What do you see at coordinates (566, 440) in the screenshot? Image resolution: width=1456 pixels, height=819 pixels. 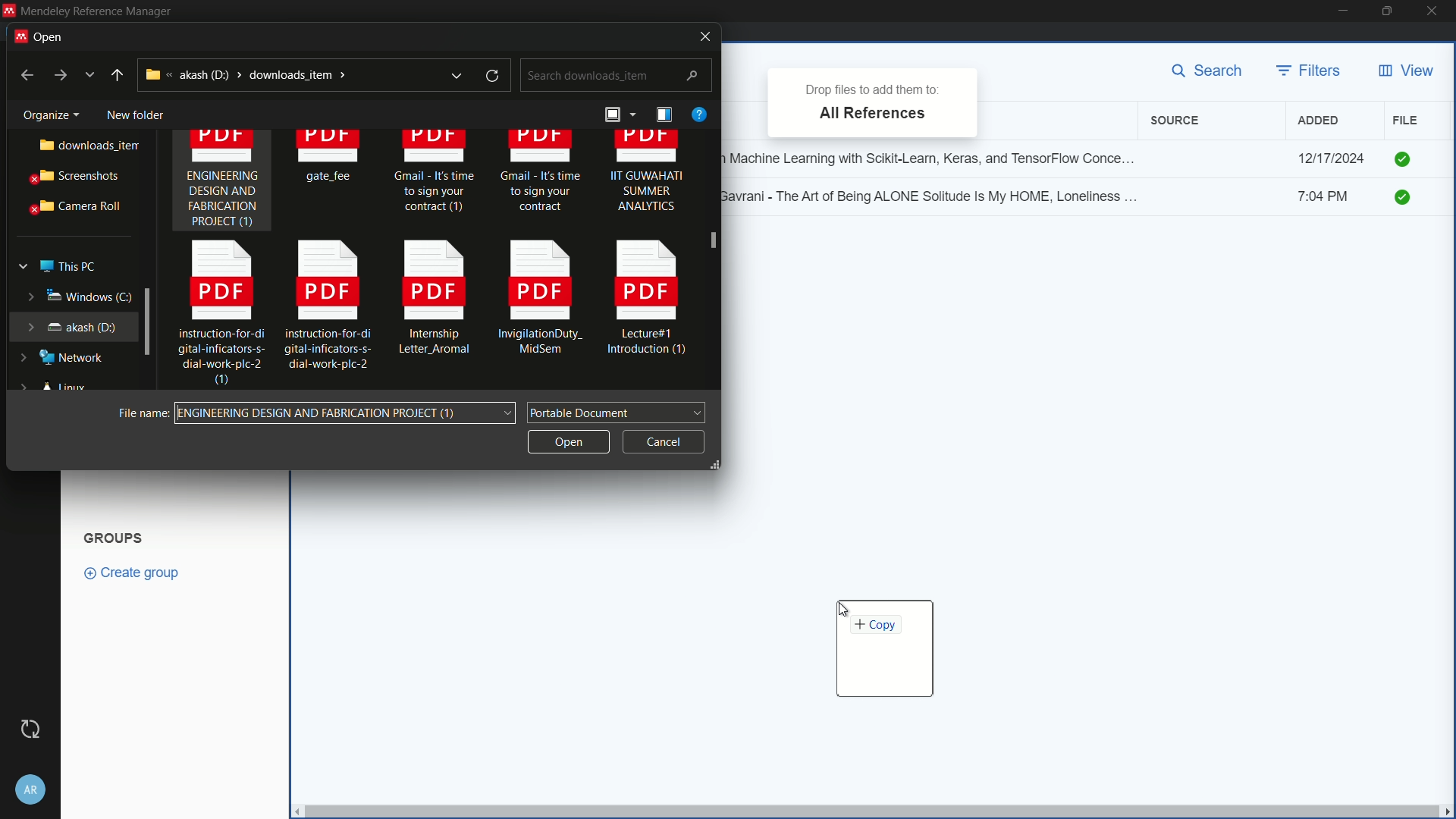 I see `open` at bounding box center [566, 440].